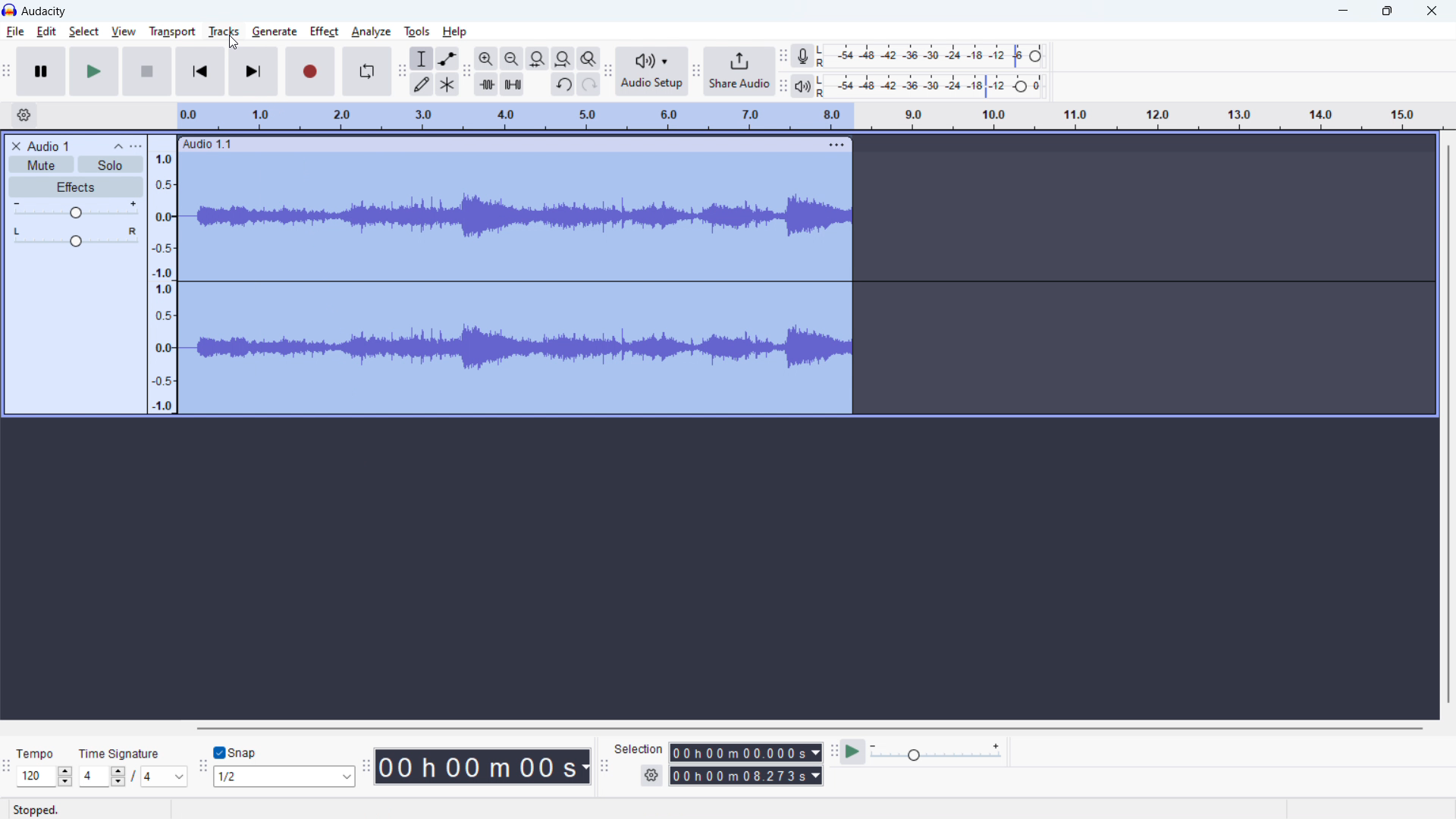 Image resolution: width=1456 pixels, height=819 pixels. I want to click on click to move, so click(503, 144).